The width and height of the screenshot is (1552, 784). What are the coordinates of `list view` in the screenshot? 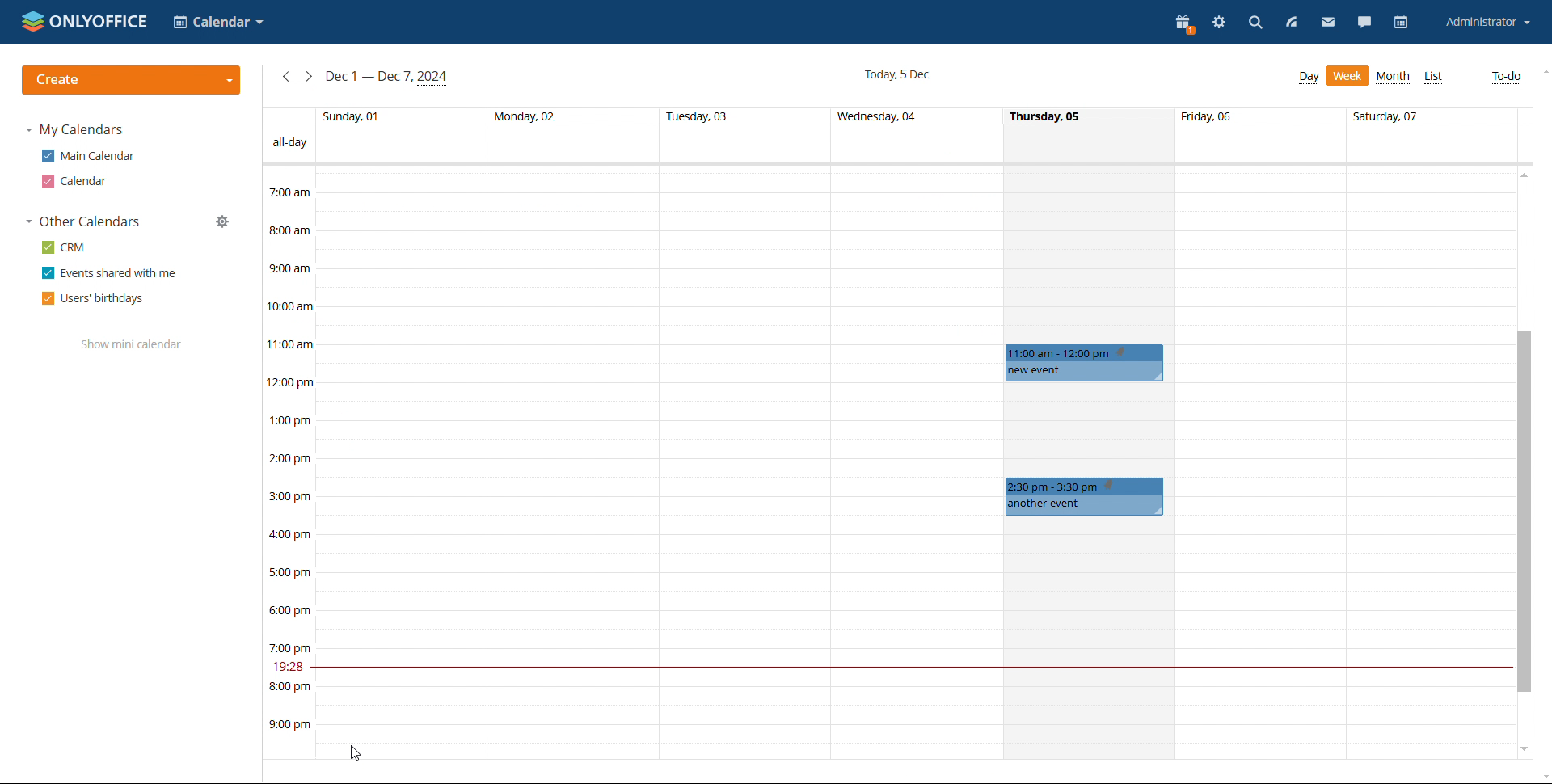 It's located at (1434, 78).